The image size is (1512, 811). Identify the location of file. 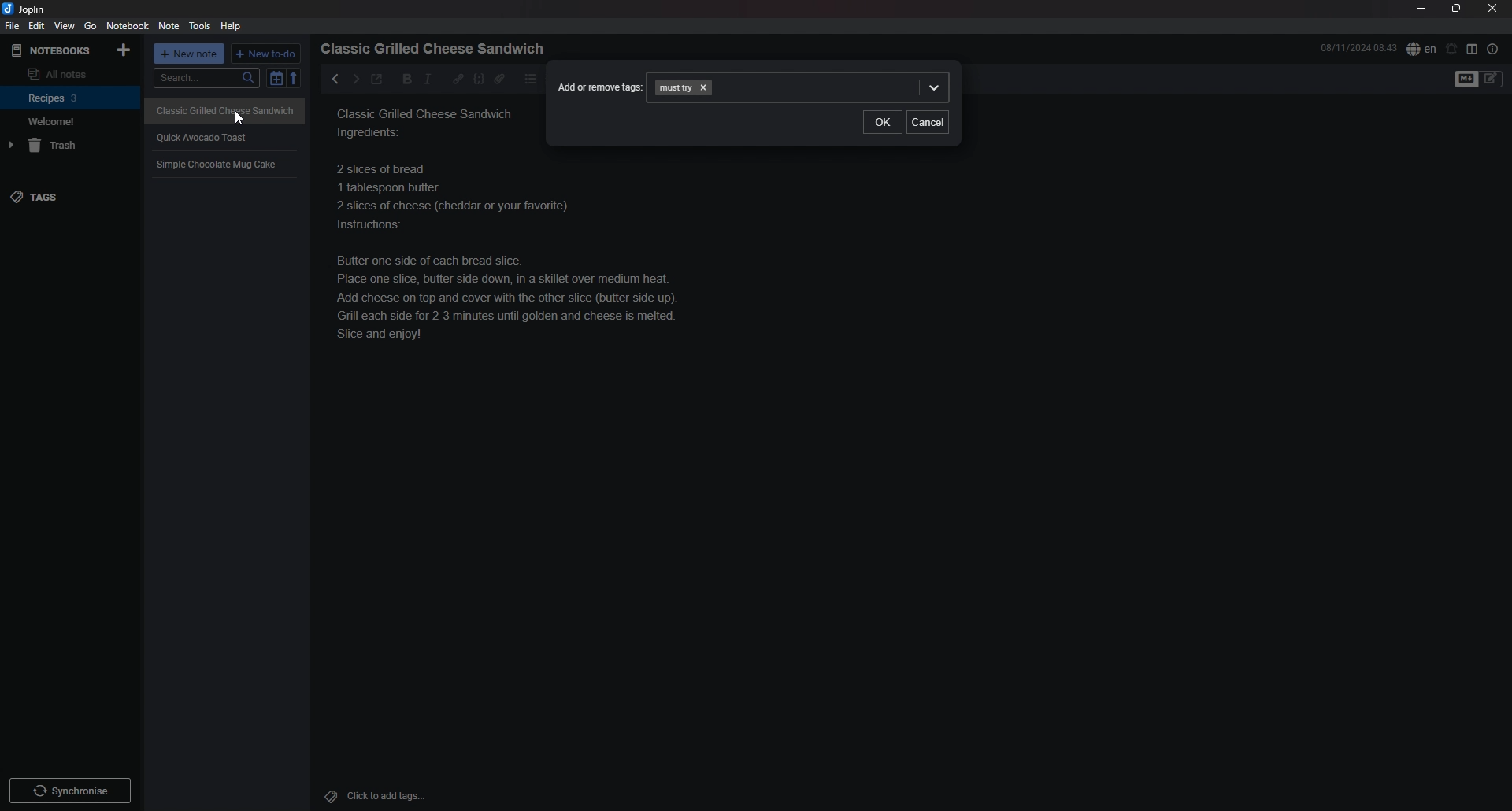
(11, 27).